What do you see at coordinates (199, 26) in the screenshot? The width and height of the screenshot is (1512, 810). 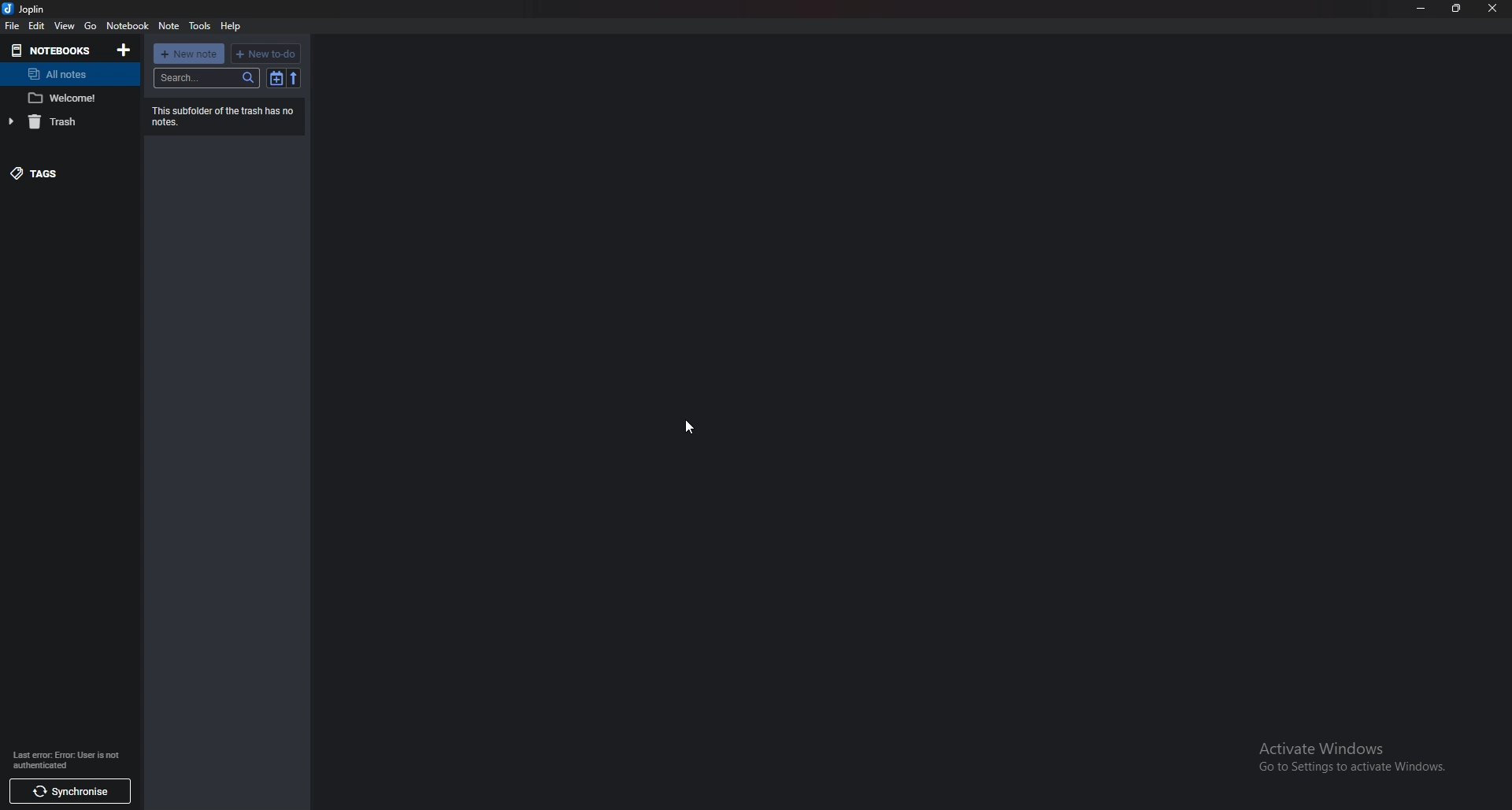 I see `tools` at bounding box center [199, 26].